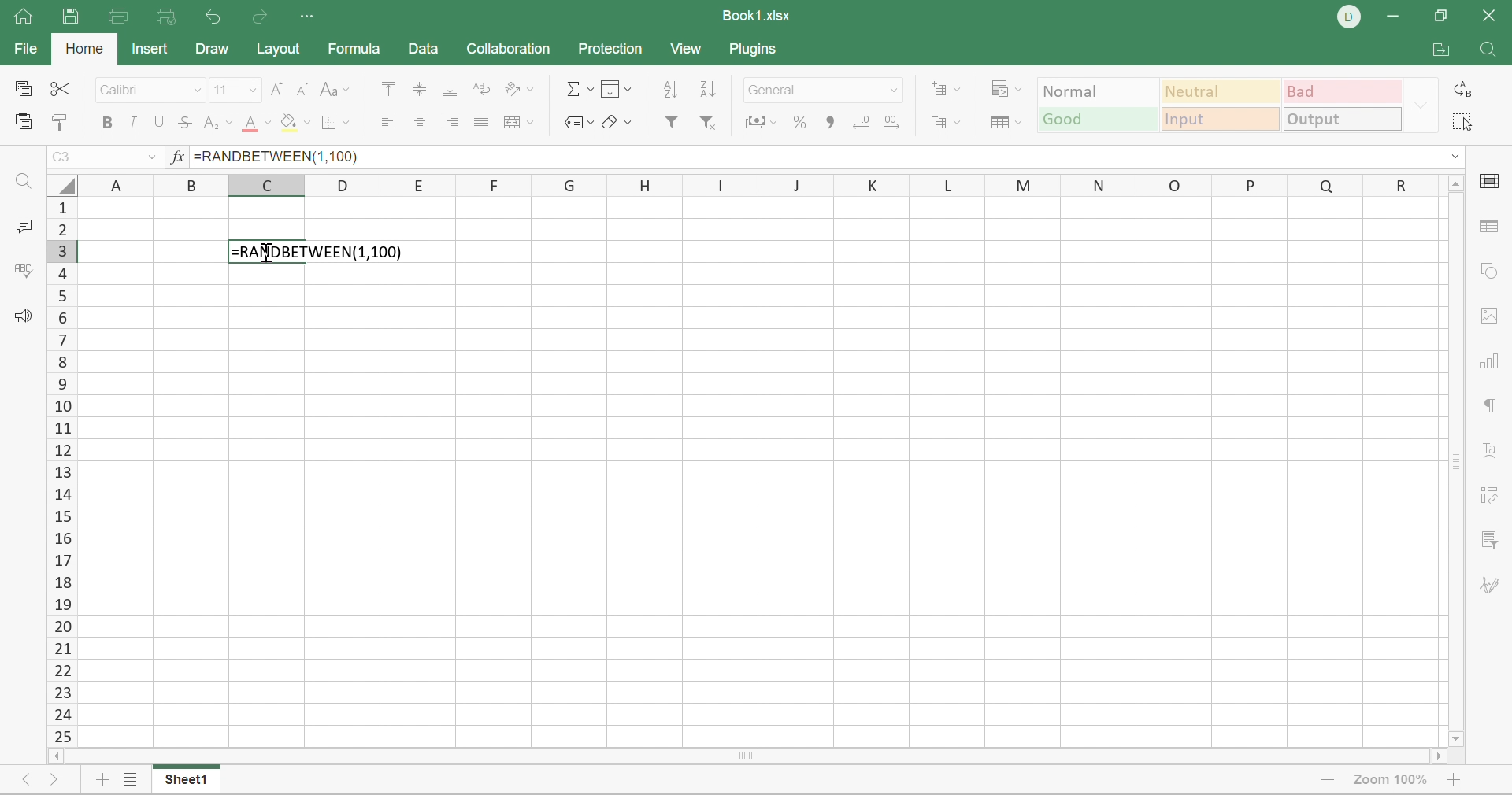 This screenshot has height=795, width=1512. Describe the element at coordinates (27, 48) in the screenshot. I see `File` at that location.